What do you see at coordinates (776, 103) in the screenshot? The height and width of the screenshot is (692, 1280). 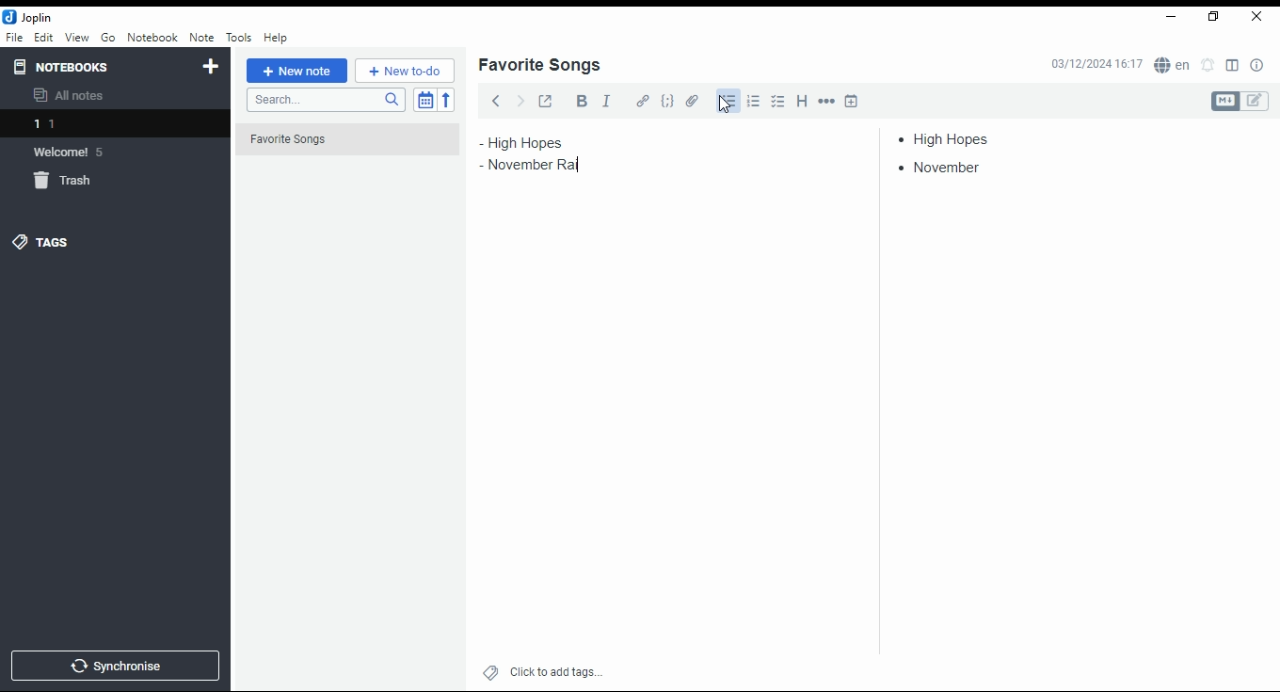 I see `checkbox` at bounding box center [776, 103].